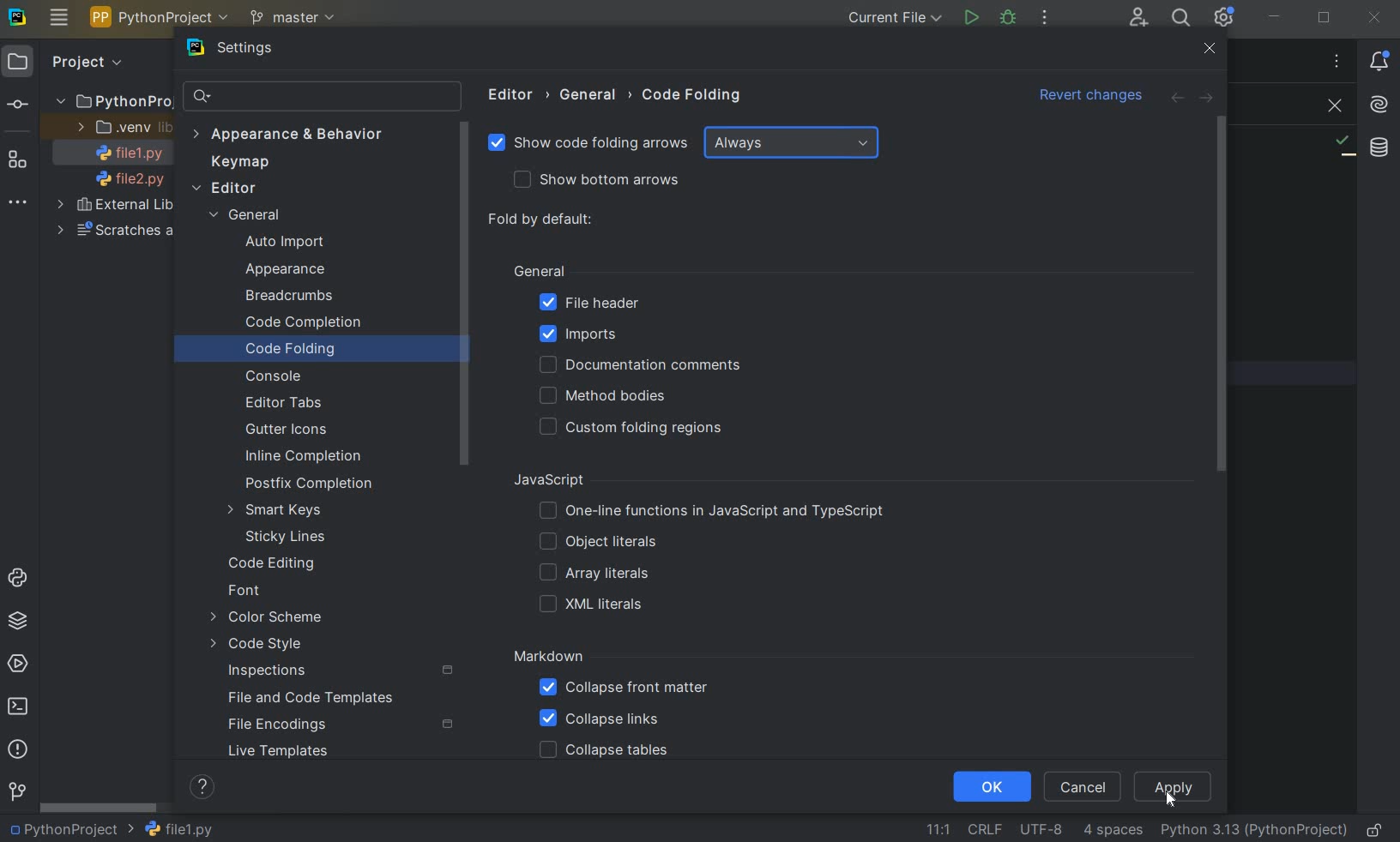 The width and height of the screenshot is (1400, 842). Describe the element at coordinates (287, 536) in the screenshot. I see `STICKY LINES` at that location.